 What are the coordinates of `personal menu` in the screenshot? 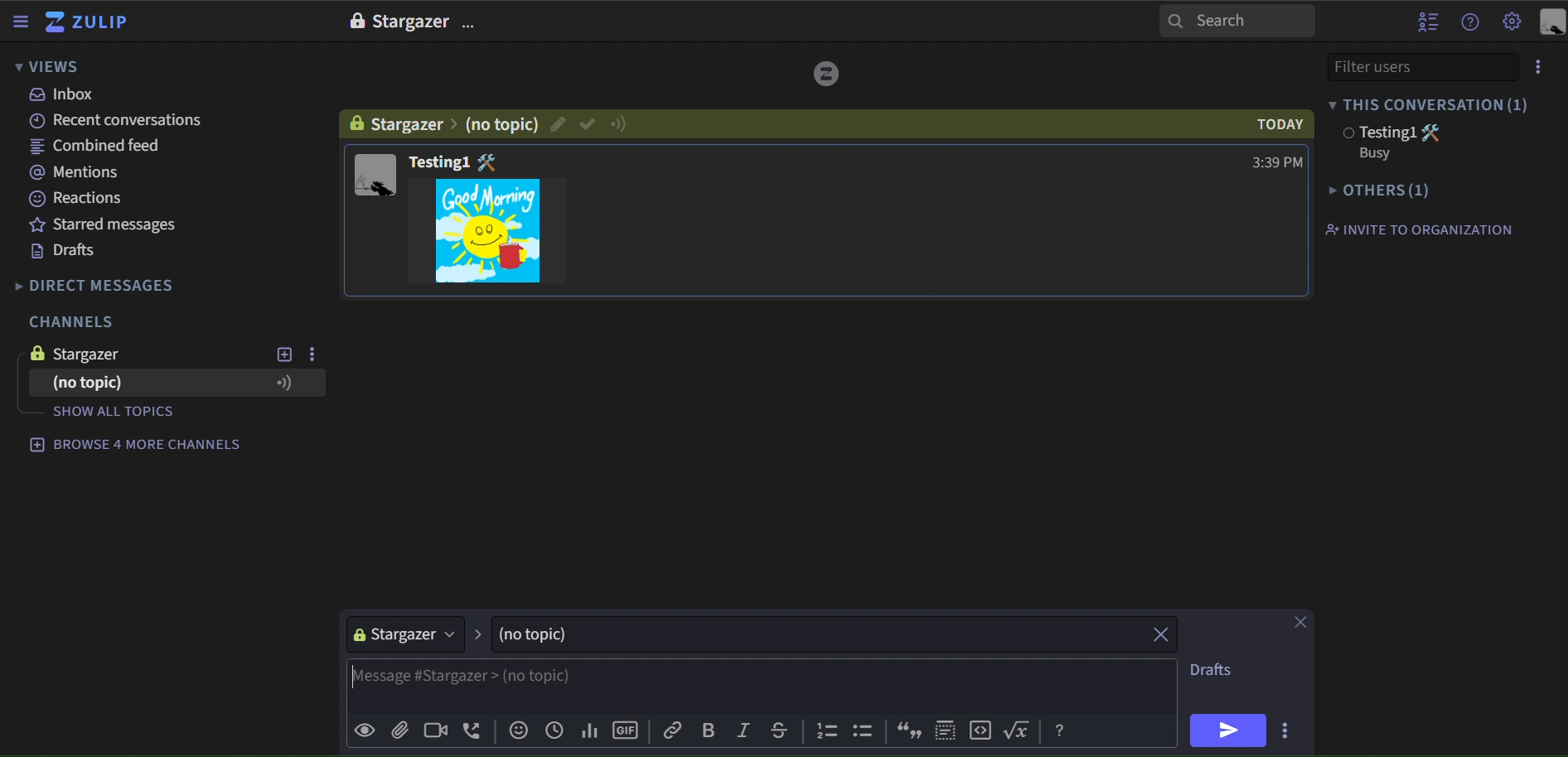 It's located at (1551, 23).